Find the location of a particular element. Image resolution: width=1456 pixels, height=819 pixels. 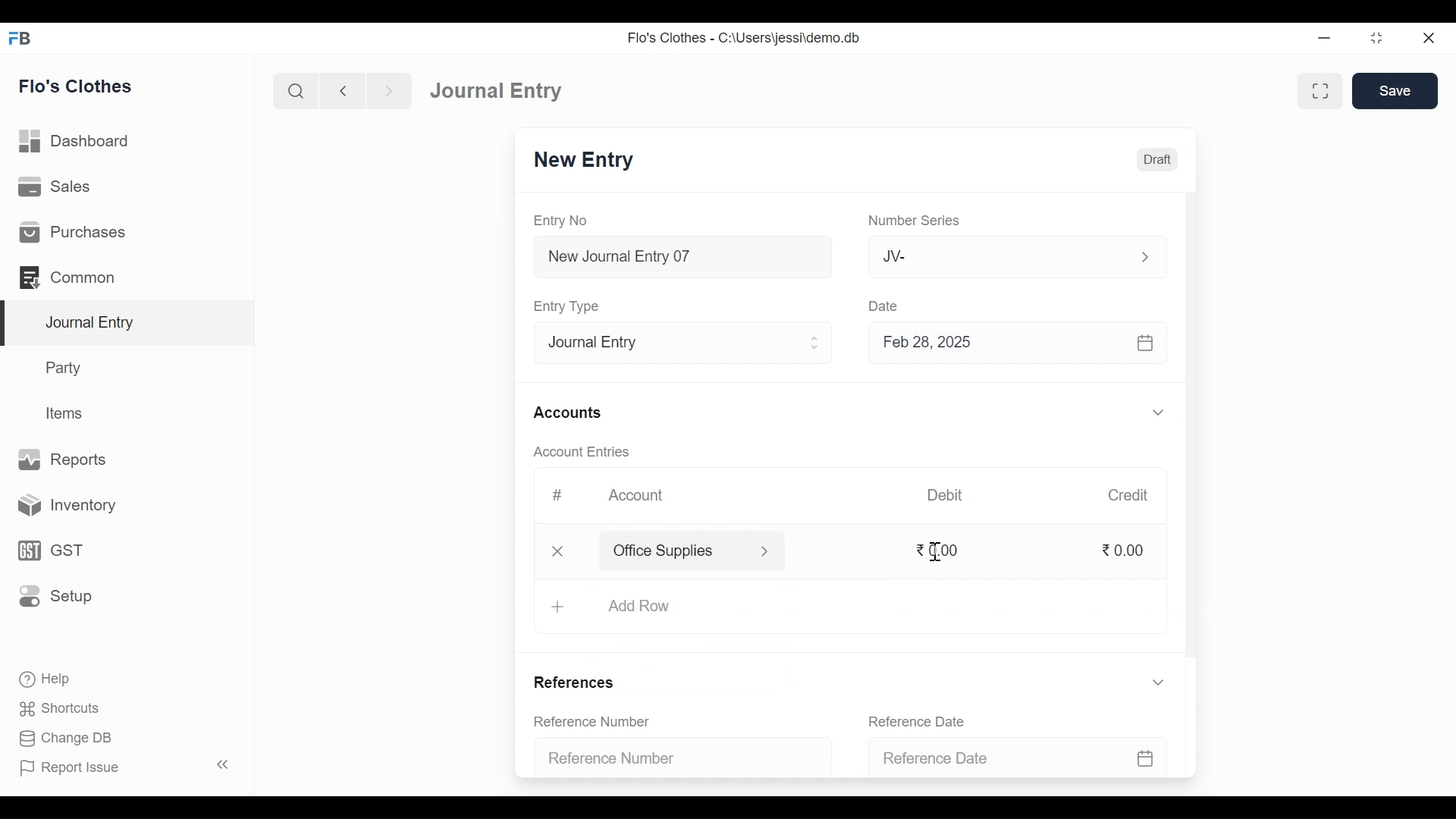

Navigate Forward is located at coordinates (389, 91).